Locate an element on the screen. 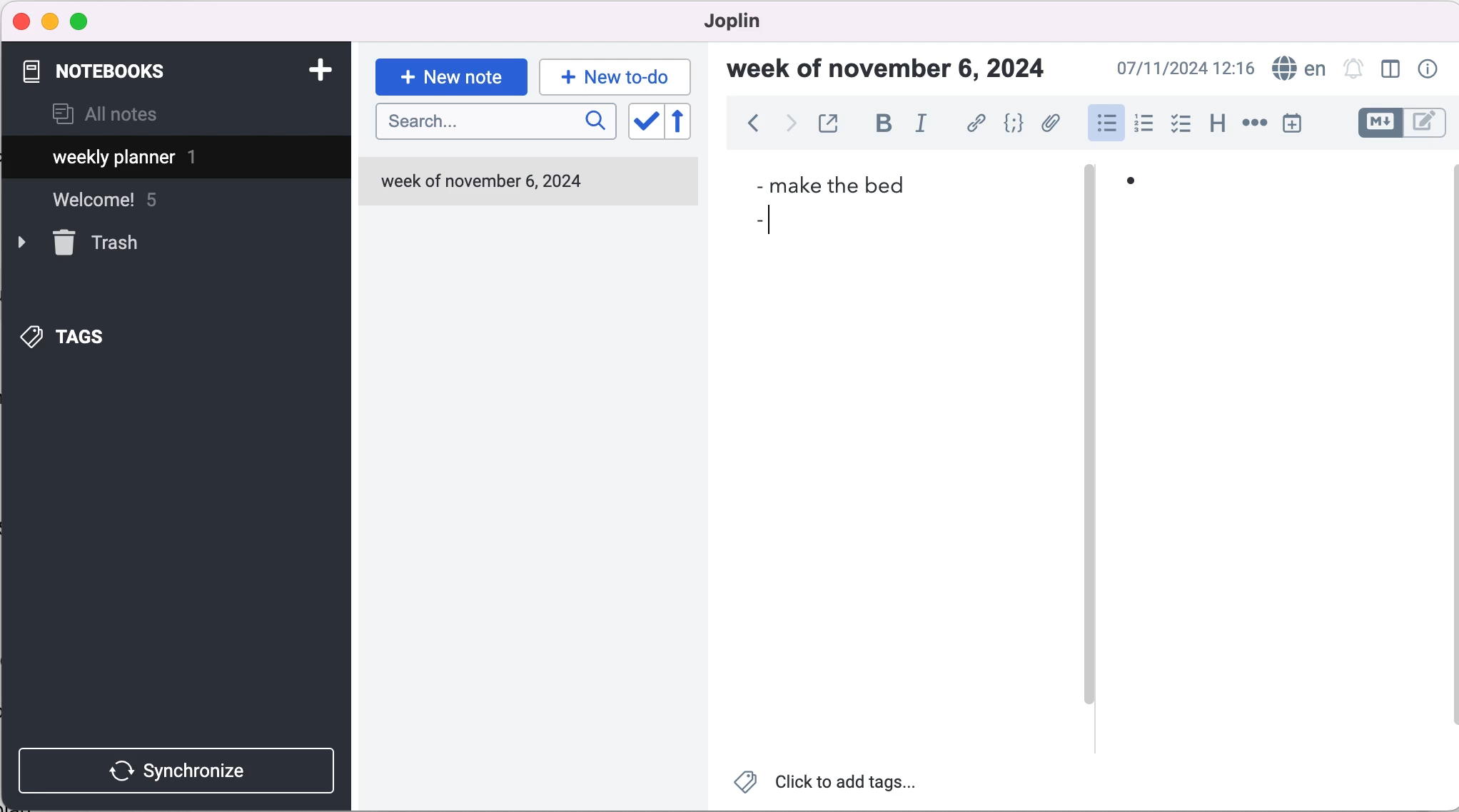 The width and height of the screenshot is (1459, 812). toggle editors is located at coordinates (1402, 125).